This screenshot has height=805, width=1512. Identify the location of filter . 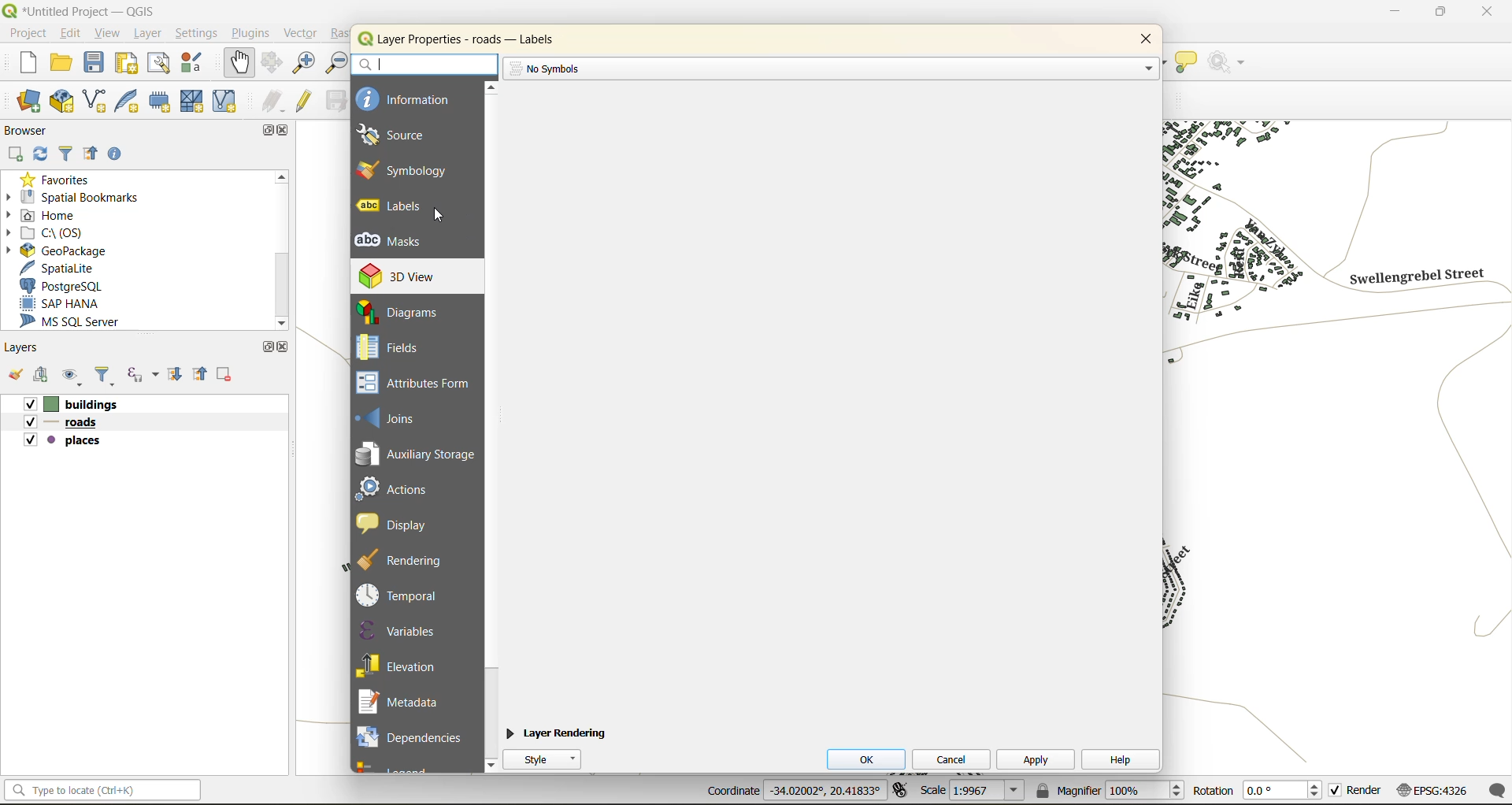
(106, 377).